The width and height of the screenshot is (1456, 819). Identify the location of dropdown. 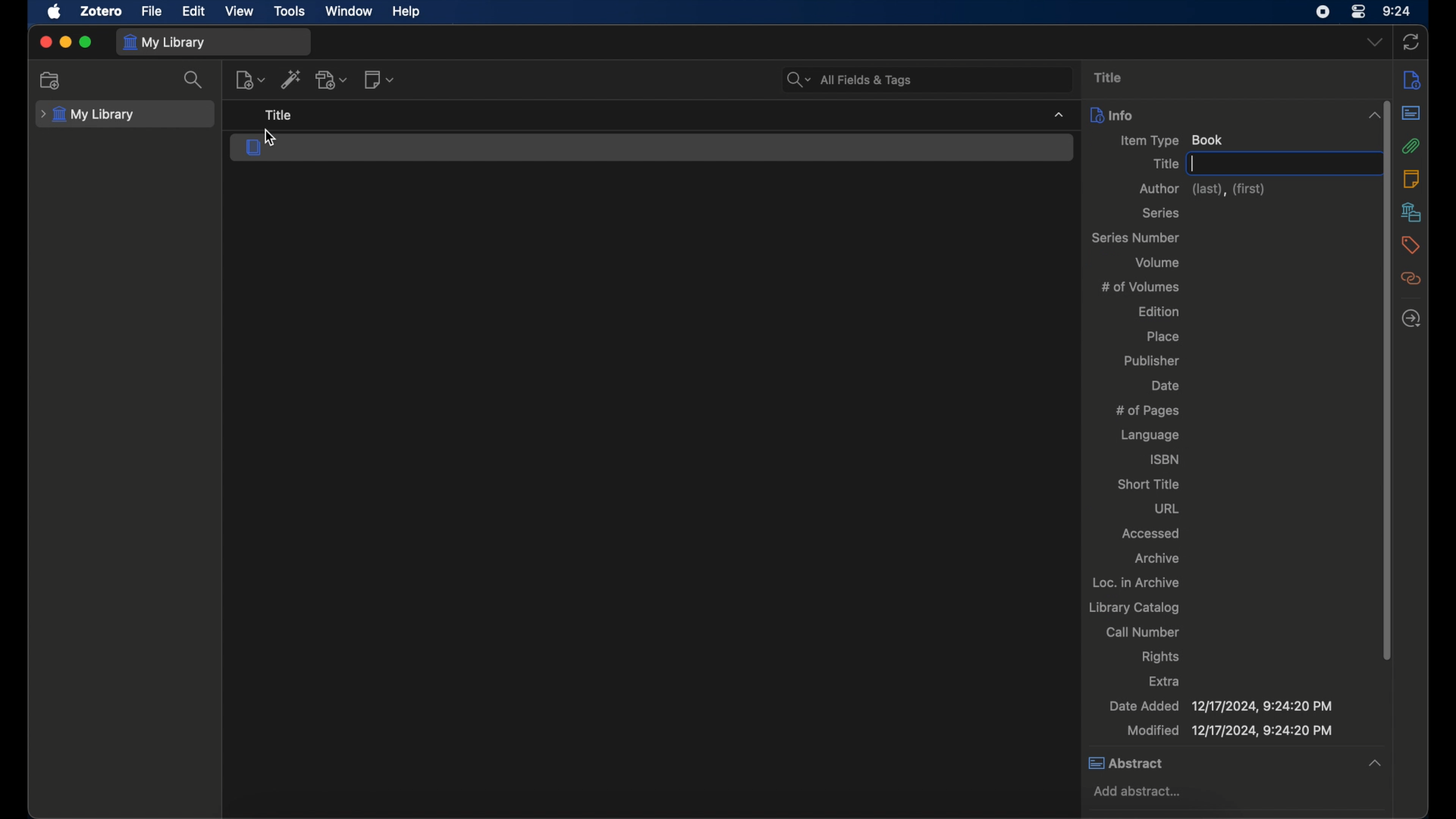
(1376, 764).